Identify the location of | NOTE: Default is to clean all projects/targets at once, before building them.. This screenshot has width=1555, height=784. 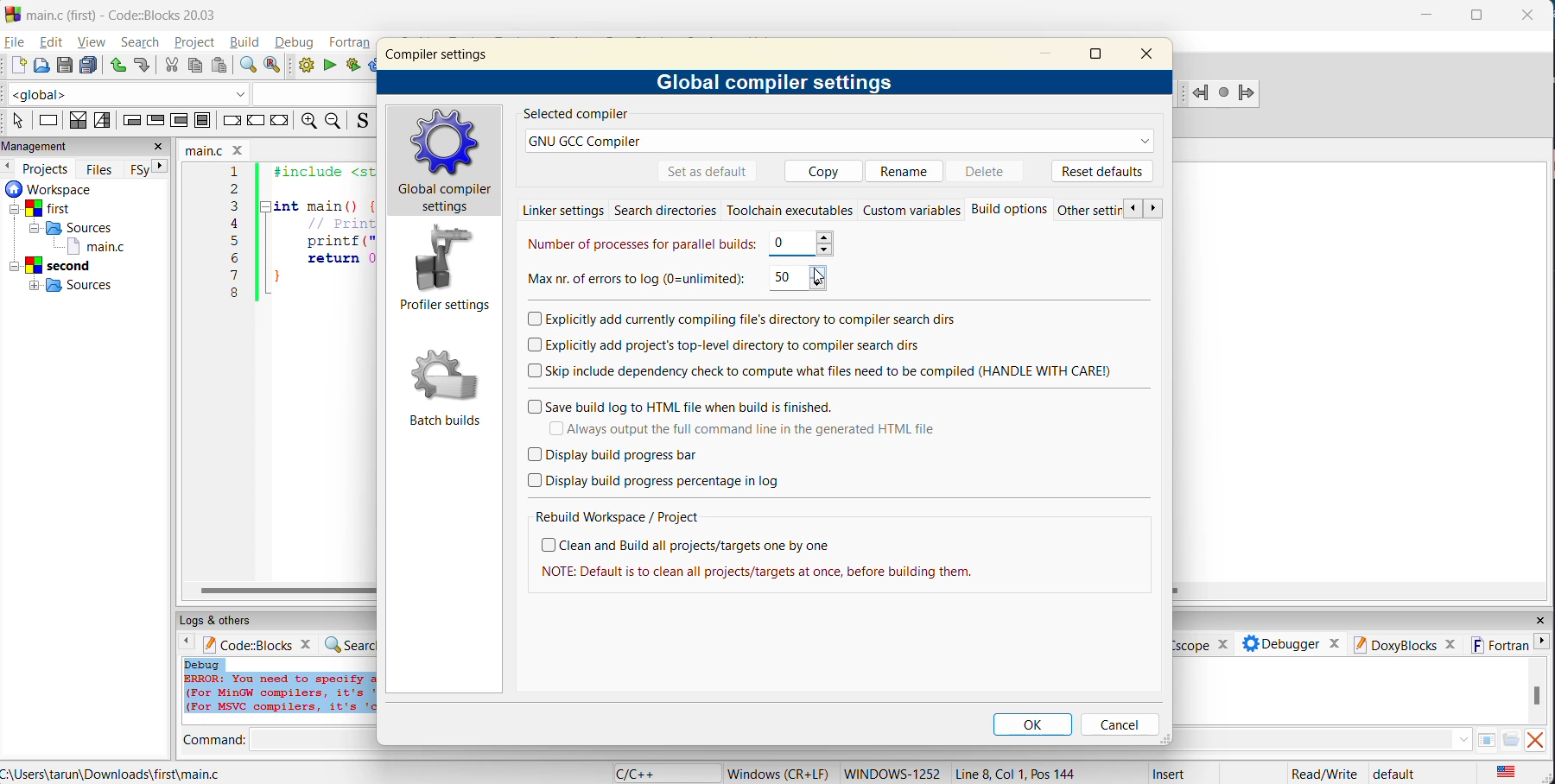
(765, 572).